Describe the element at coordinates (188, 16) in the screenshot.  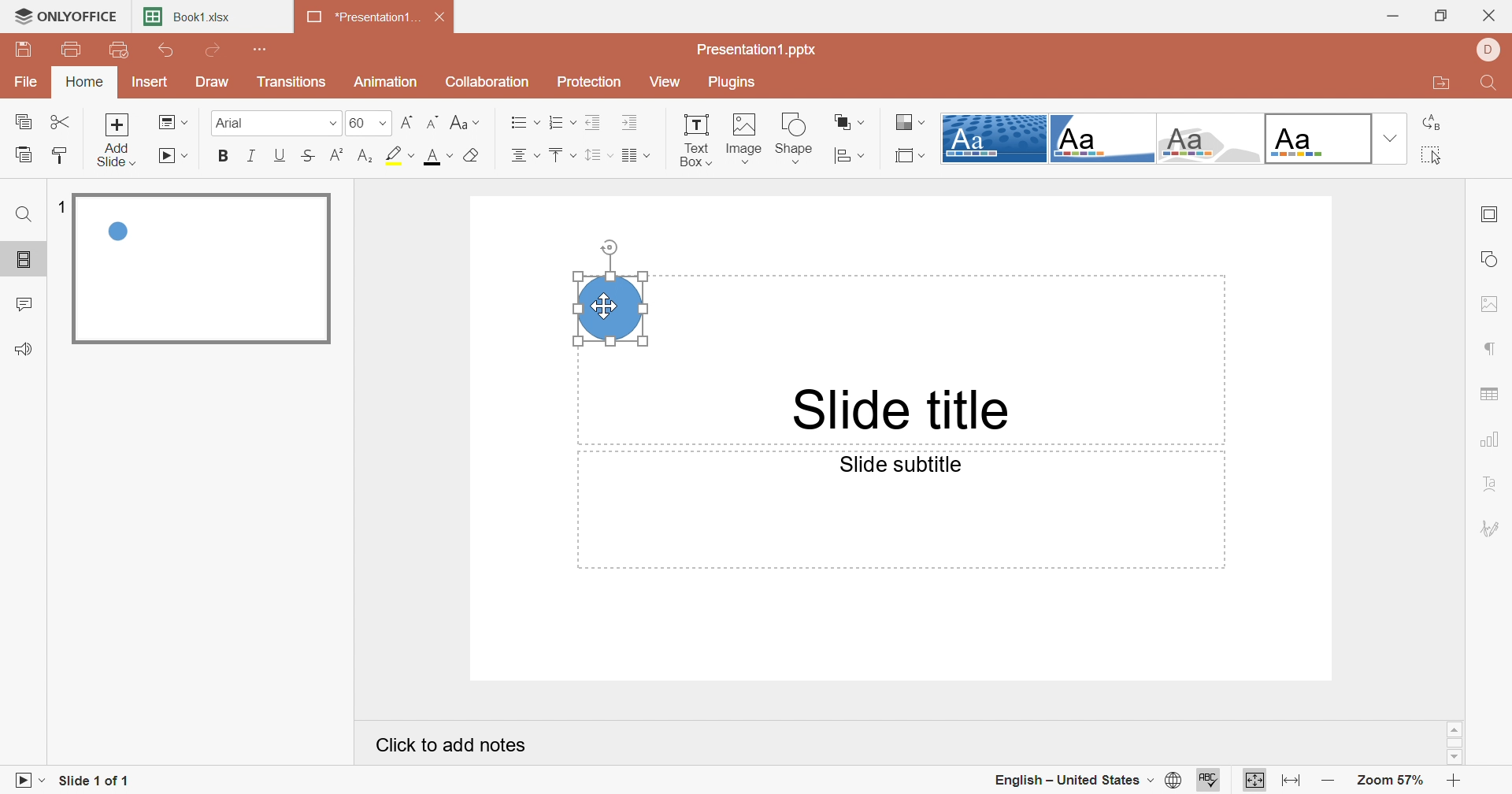
I see `Book1.xlsx` at that location.